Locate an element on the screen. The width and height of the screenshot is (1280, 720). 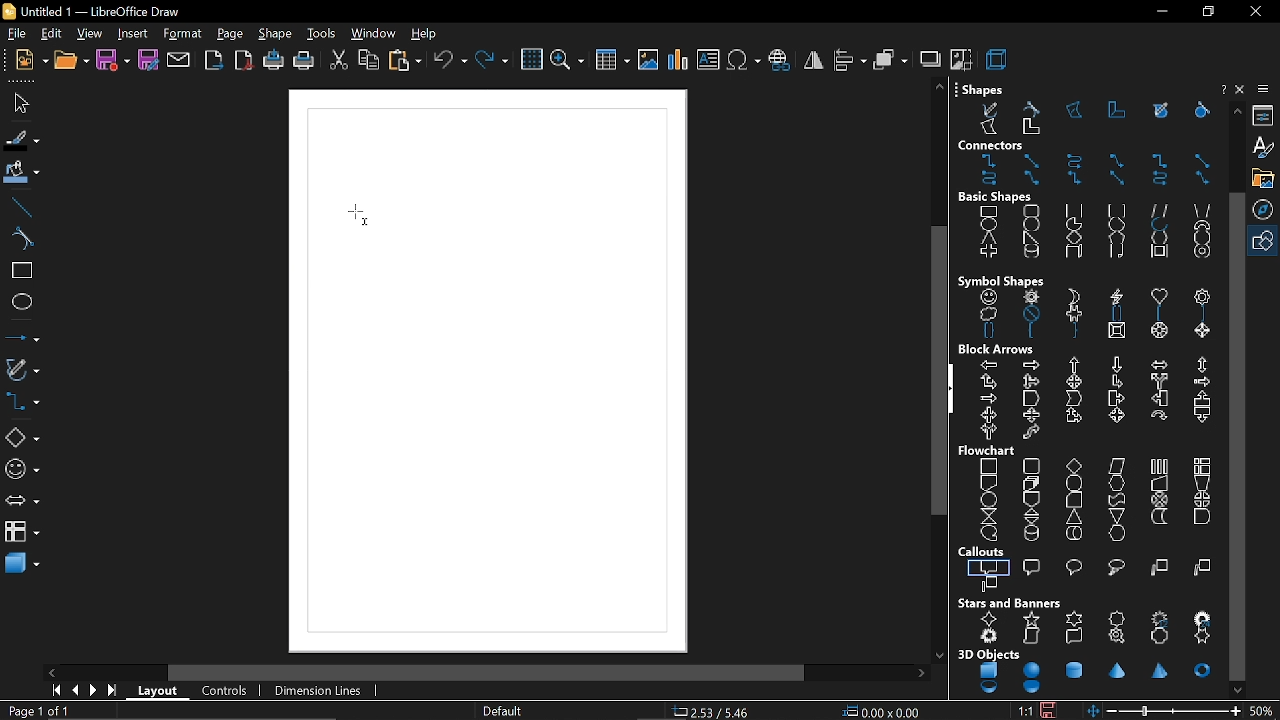
curved connector is located at coordinates (990, 181).